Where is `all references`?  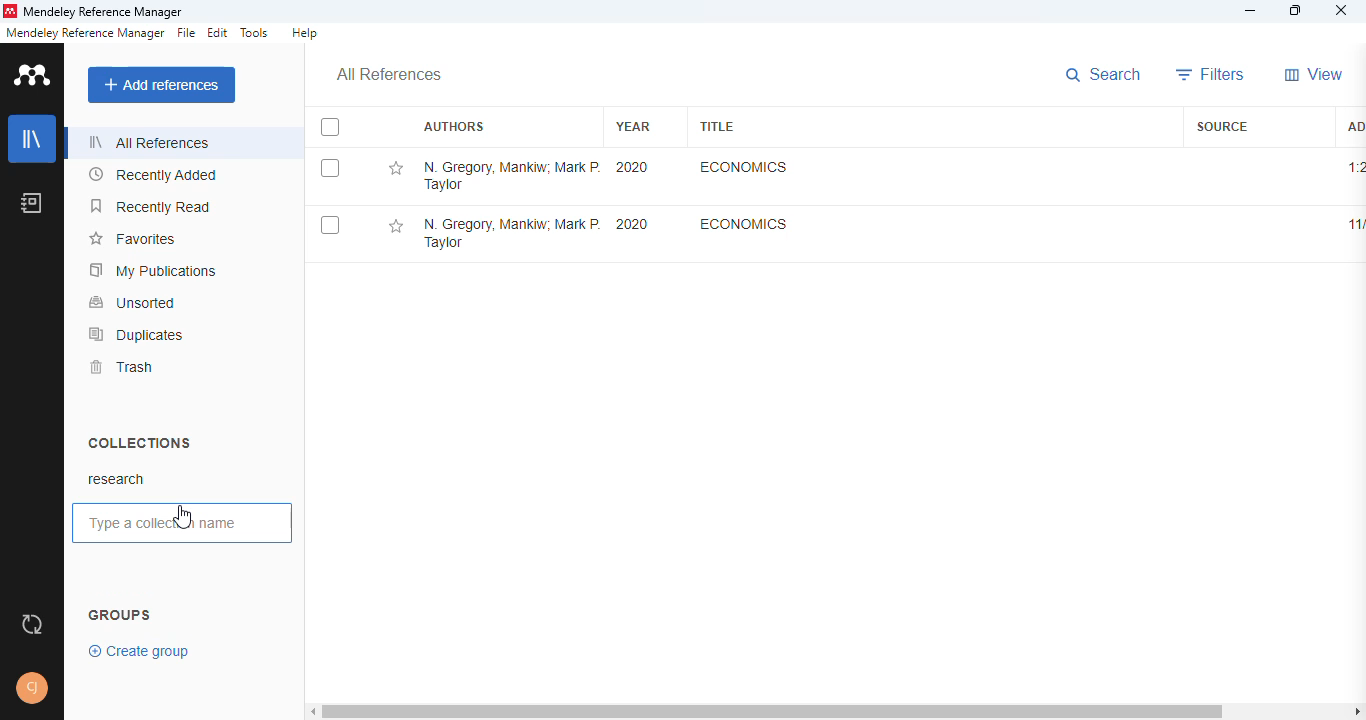
all references is located at coordinates (149, 142).